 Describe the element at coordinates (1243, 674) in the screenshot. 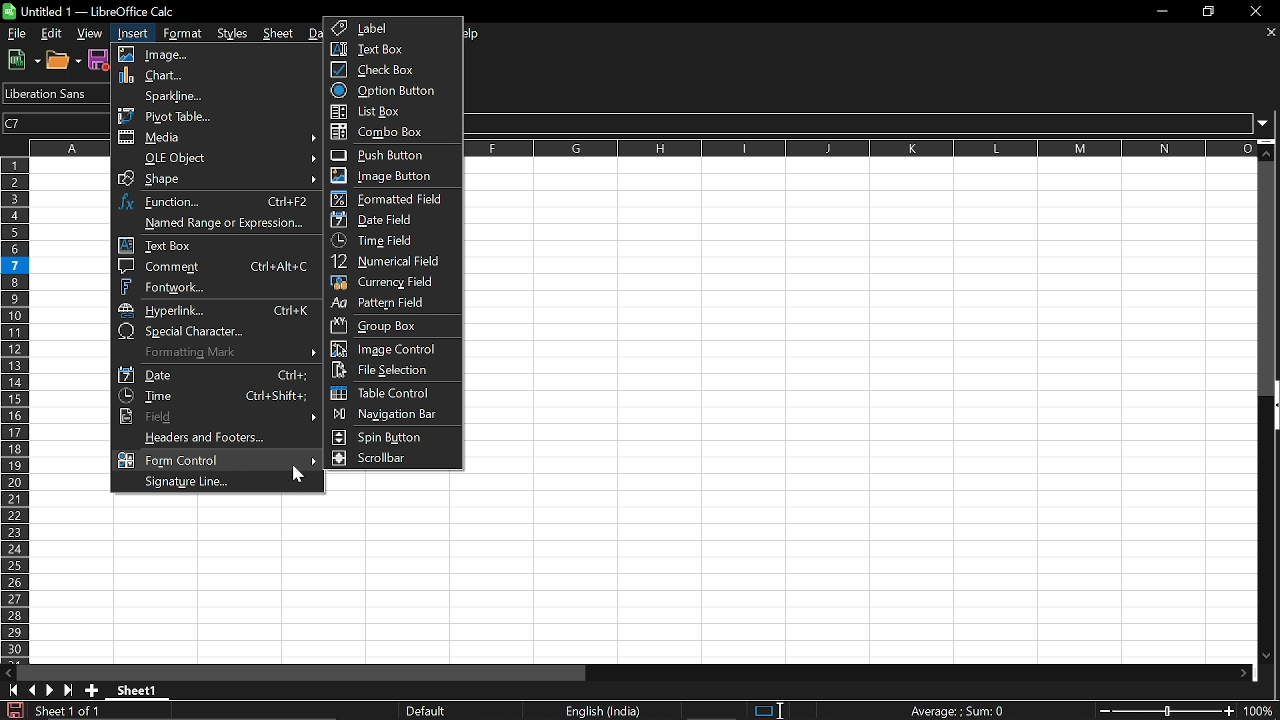

I see `Move right` at that location.